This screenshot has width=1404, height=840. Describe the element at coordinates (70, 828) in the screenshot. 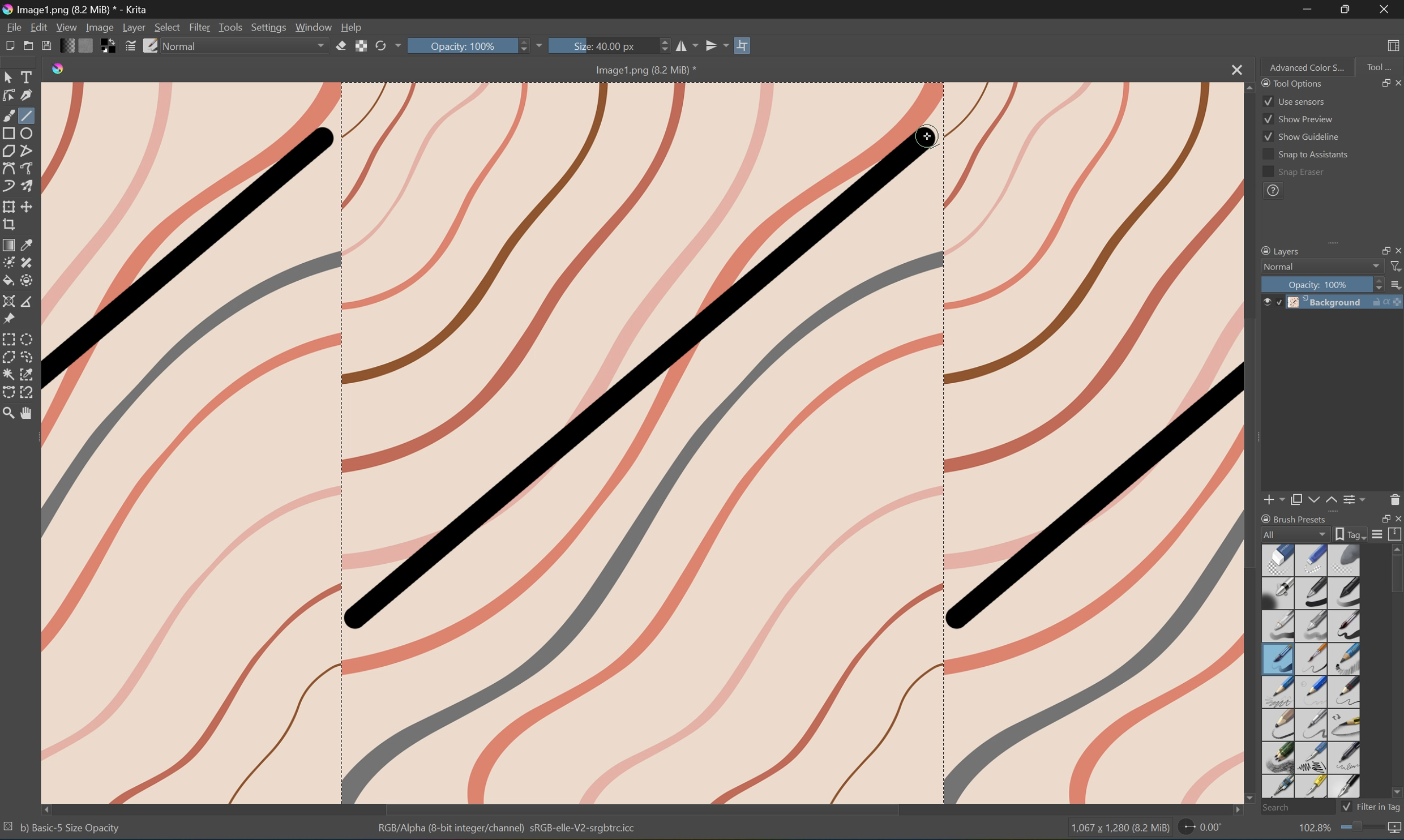

I see `bj Basic- 5 Size Opacity` at that location.